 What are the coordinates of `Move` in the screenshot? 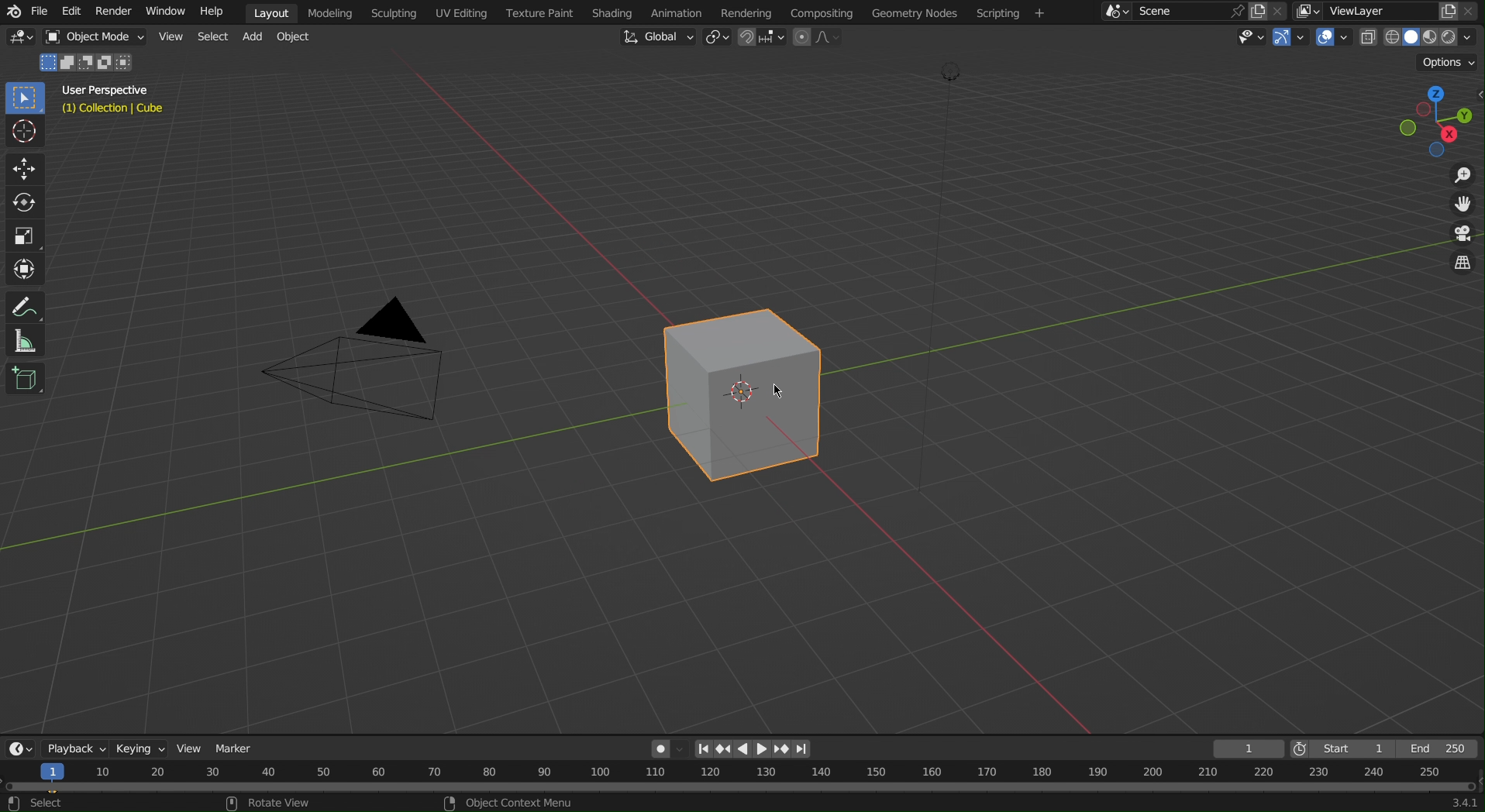 It's located at (24, 170).